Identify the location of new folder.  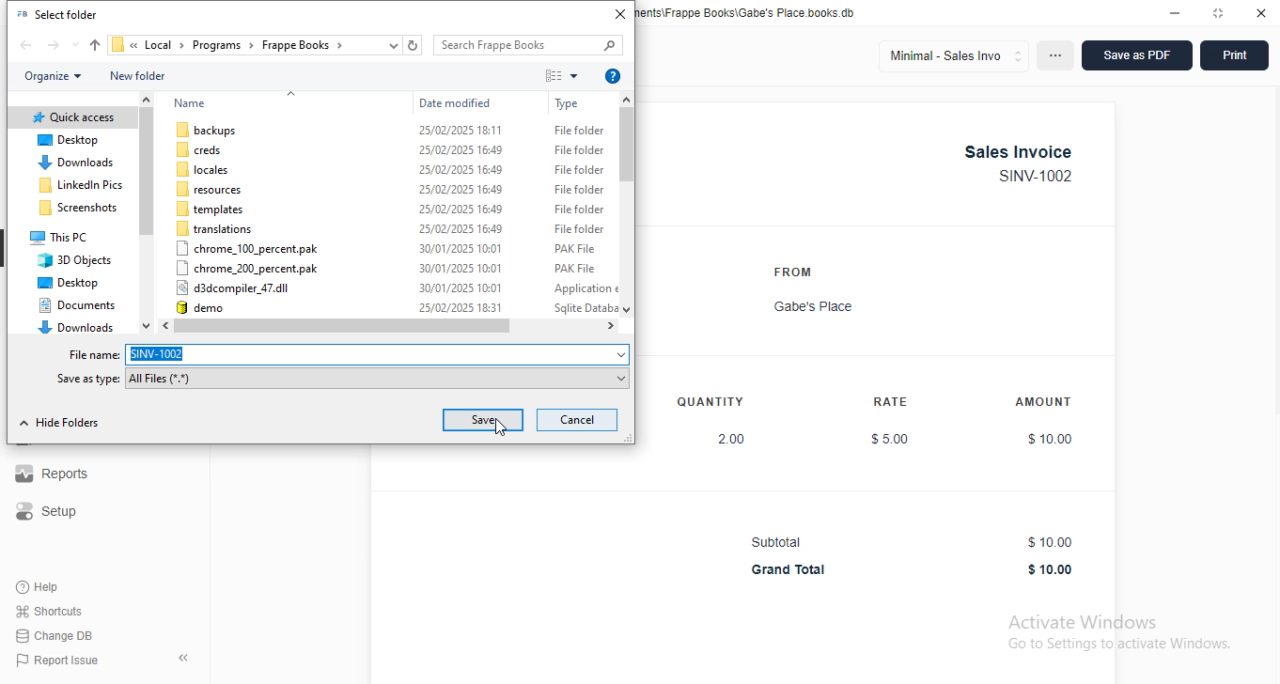
(138, 75).